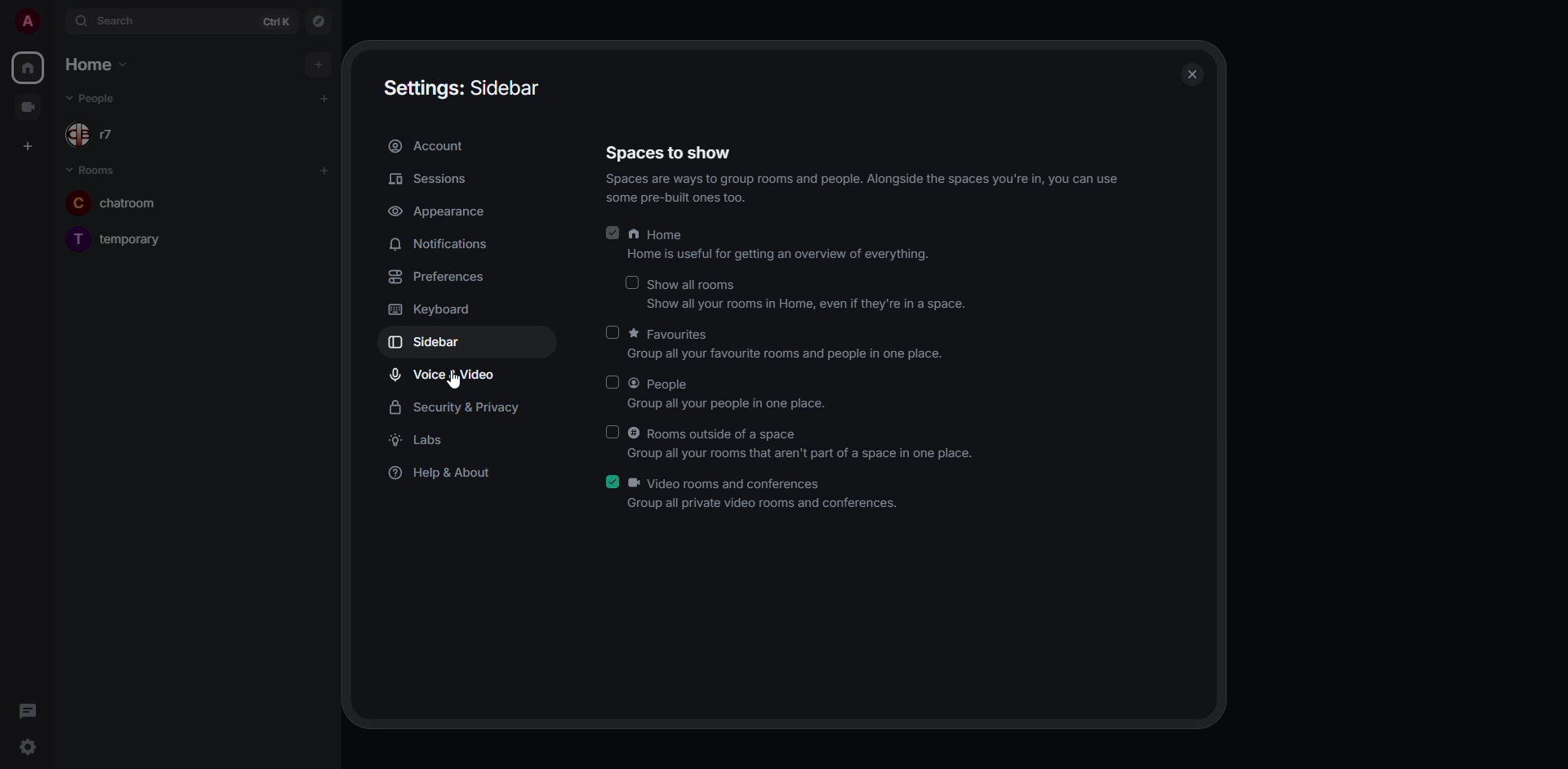 This screenshot has height=769, width=1568. I want to click on expand, so click(54, 21).